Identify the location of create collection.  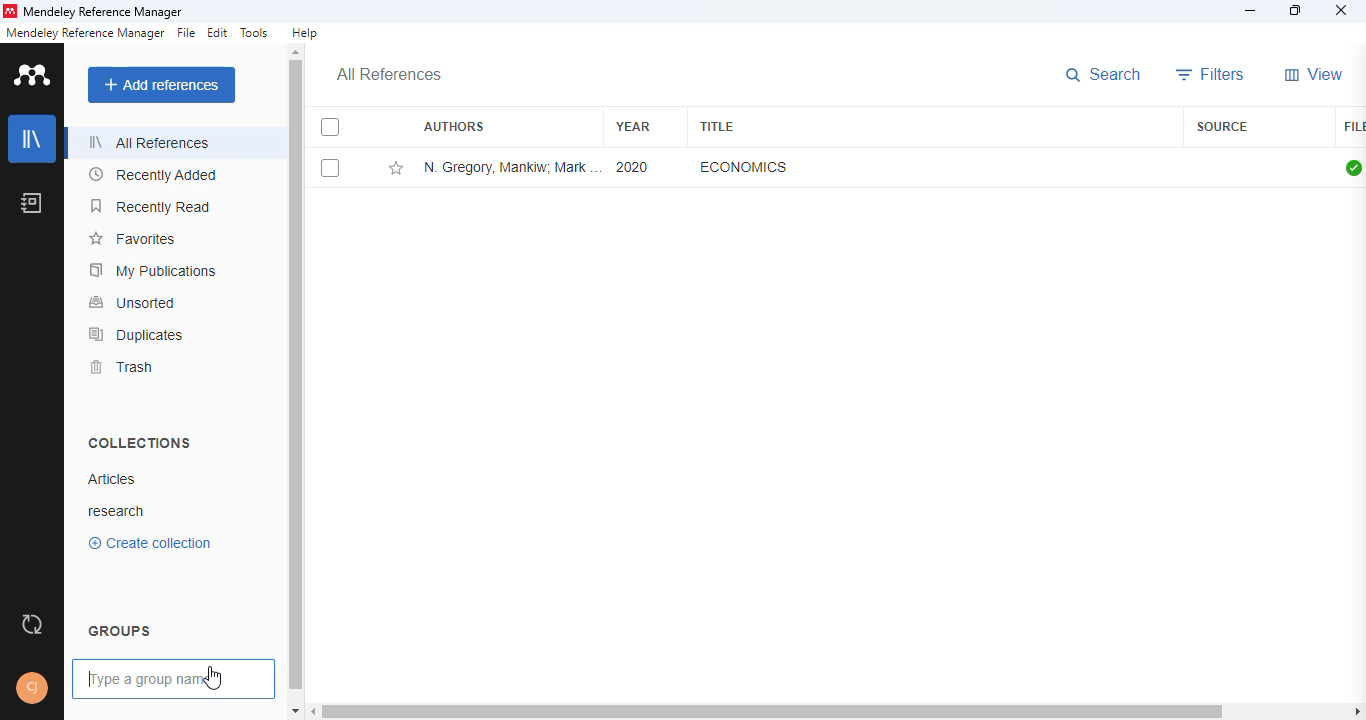
(151, 543).